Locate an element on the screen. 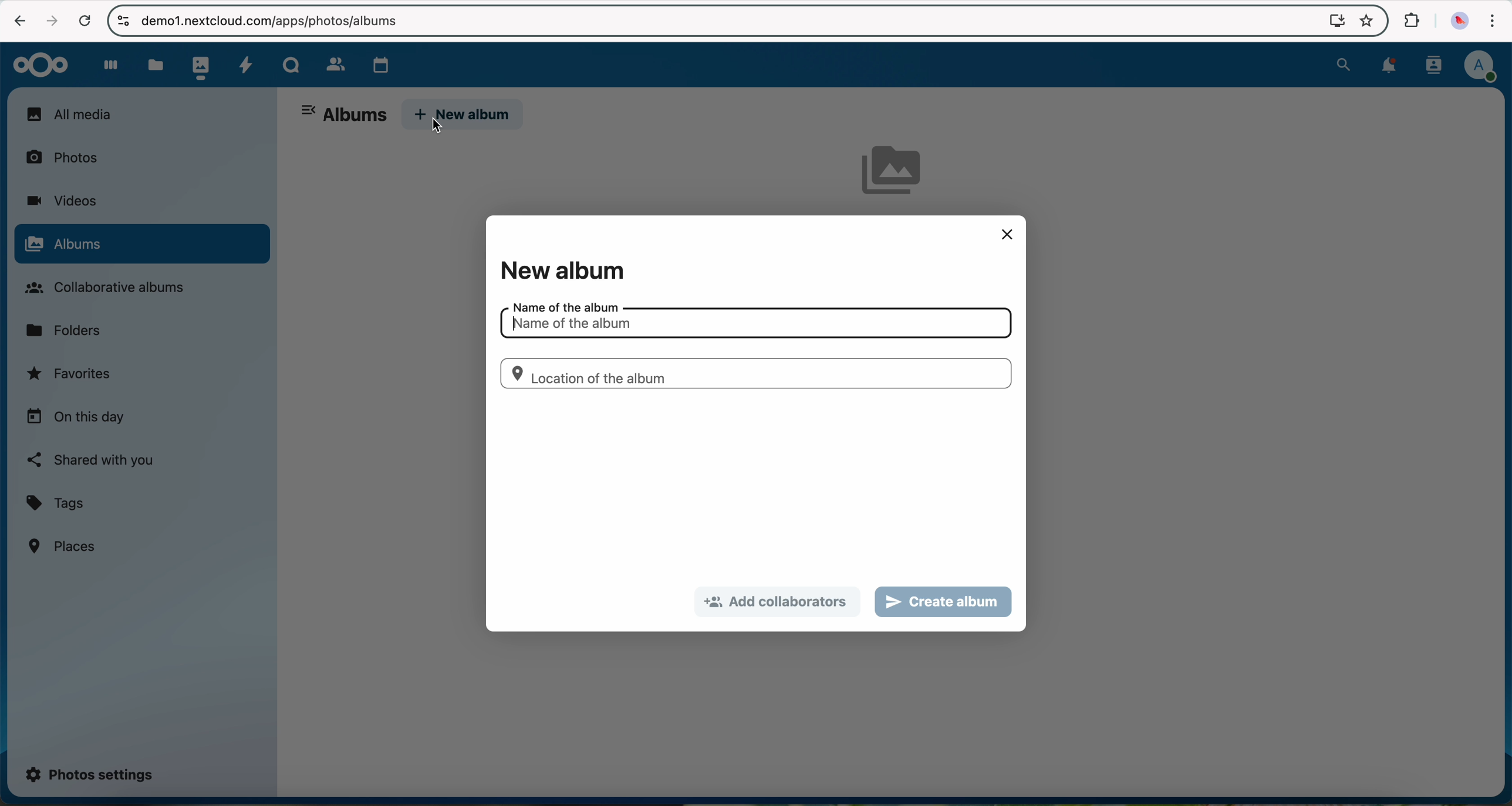  new album is located at coordinates (561, 270).